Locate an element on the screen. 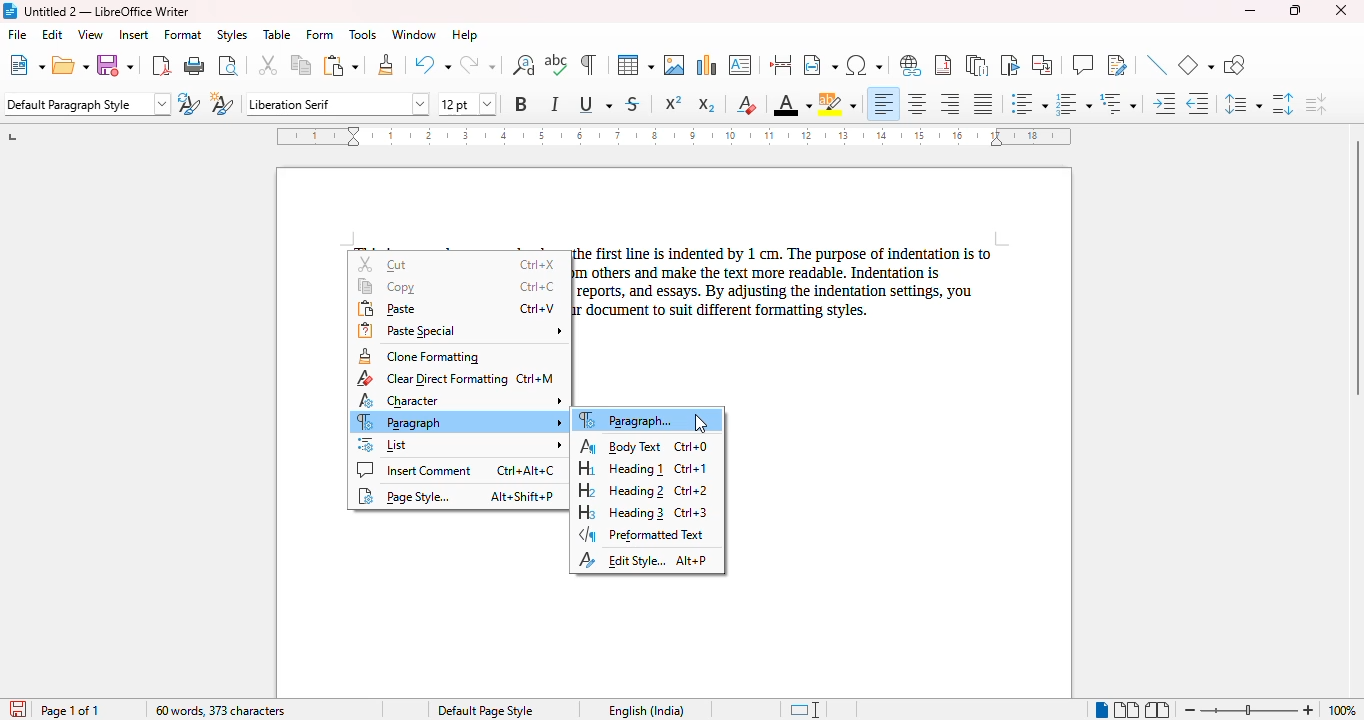  format is located at coordinates (183, 35).